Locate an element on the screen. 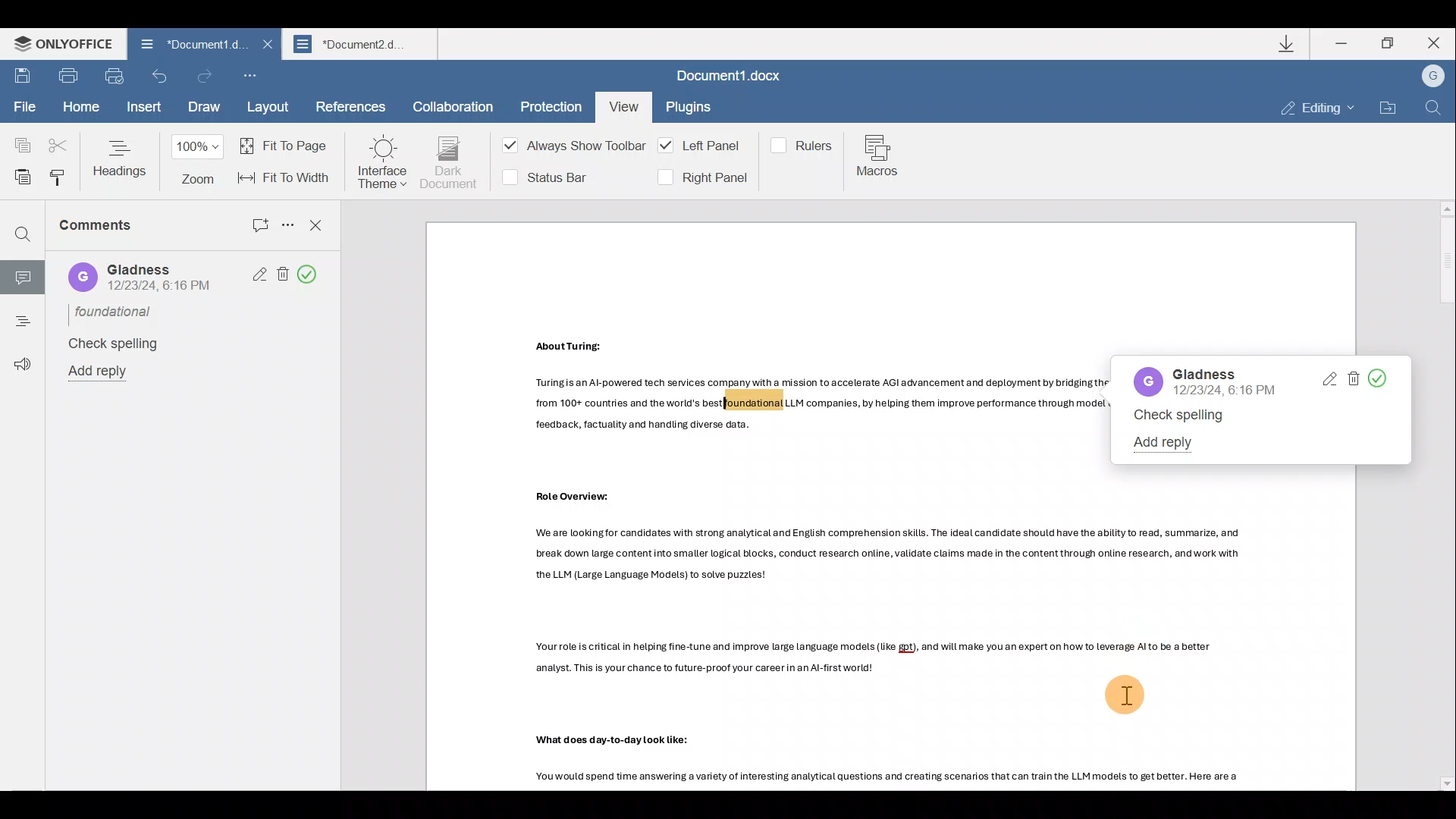 The width and height of the screenshot is (1456, 819). Gladness
12/23/24, 6:16 PM is located at coordinates (1204, 381).